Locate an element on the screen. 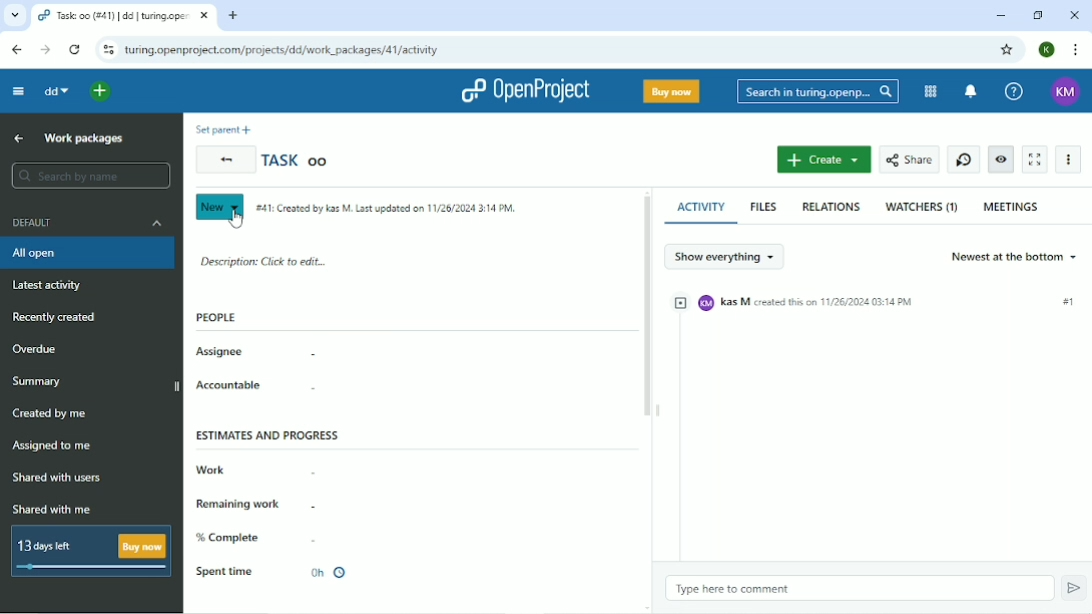  Set parent is located at coordinates (223, 128).